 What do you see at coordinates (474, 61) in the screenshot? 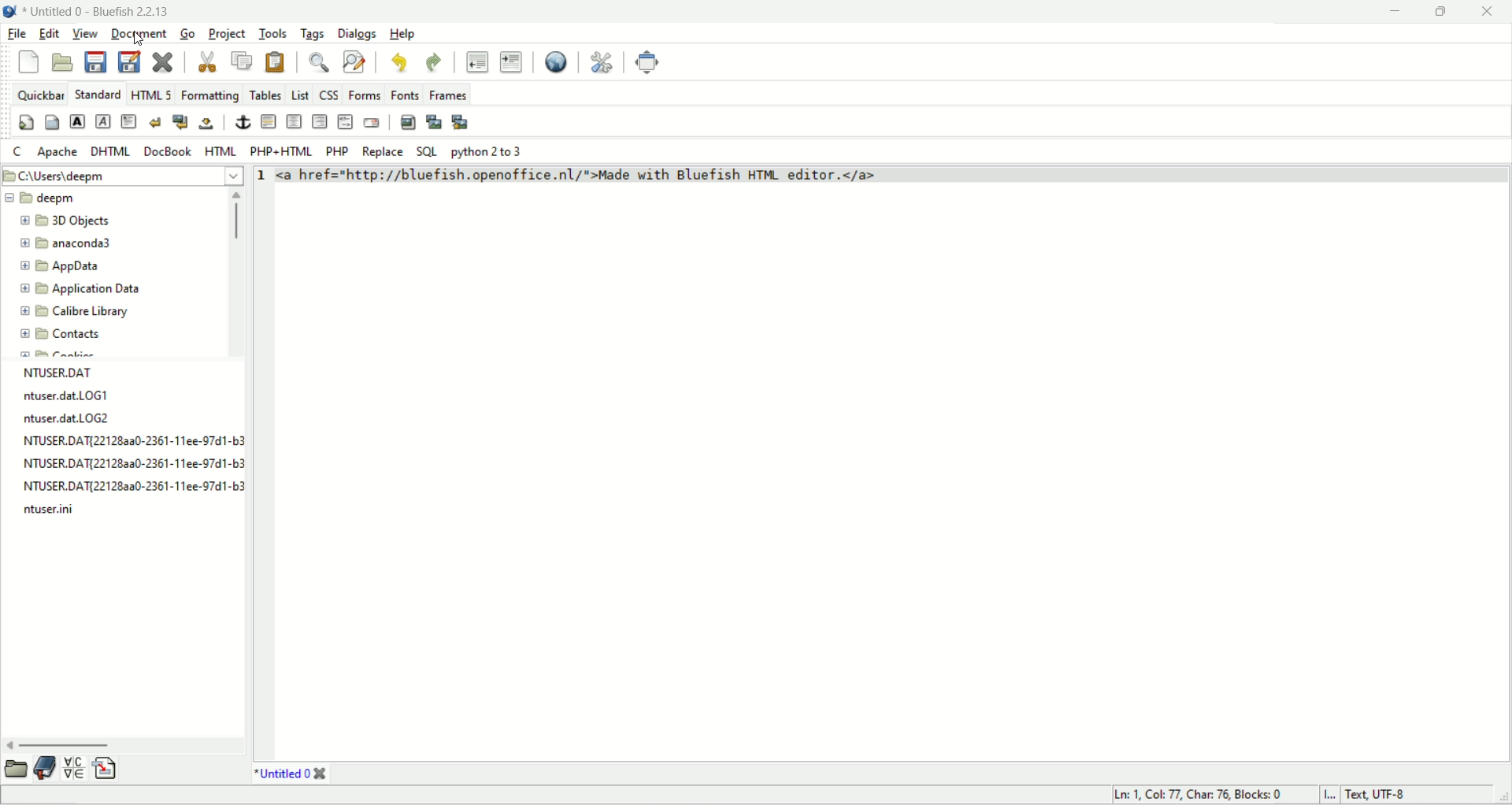
I see `unindent` at bounding box center [474, 61].